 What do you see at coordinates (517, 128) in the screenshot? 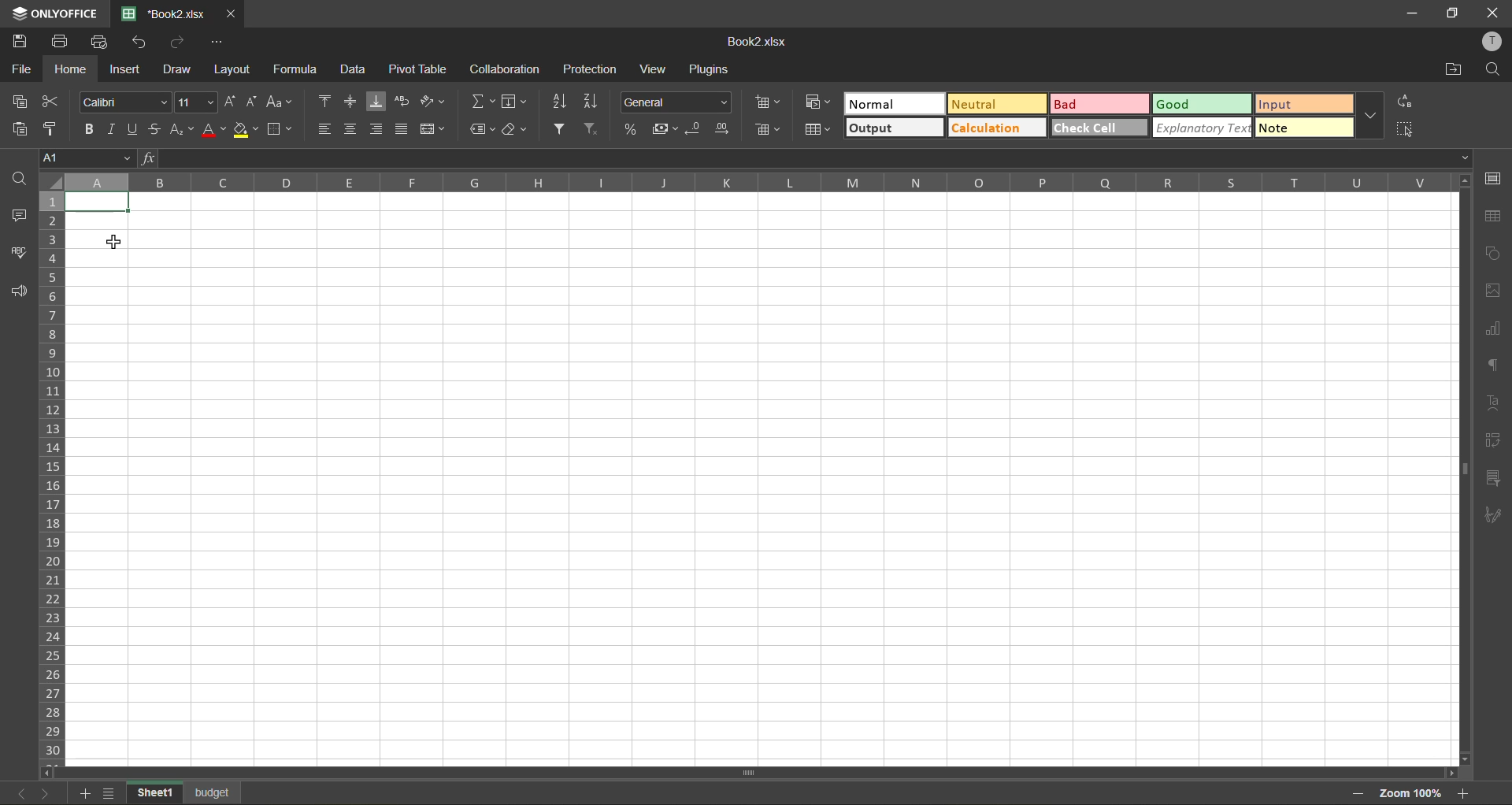
I see `clear` at bounding box center [517, 128].